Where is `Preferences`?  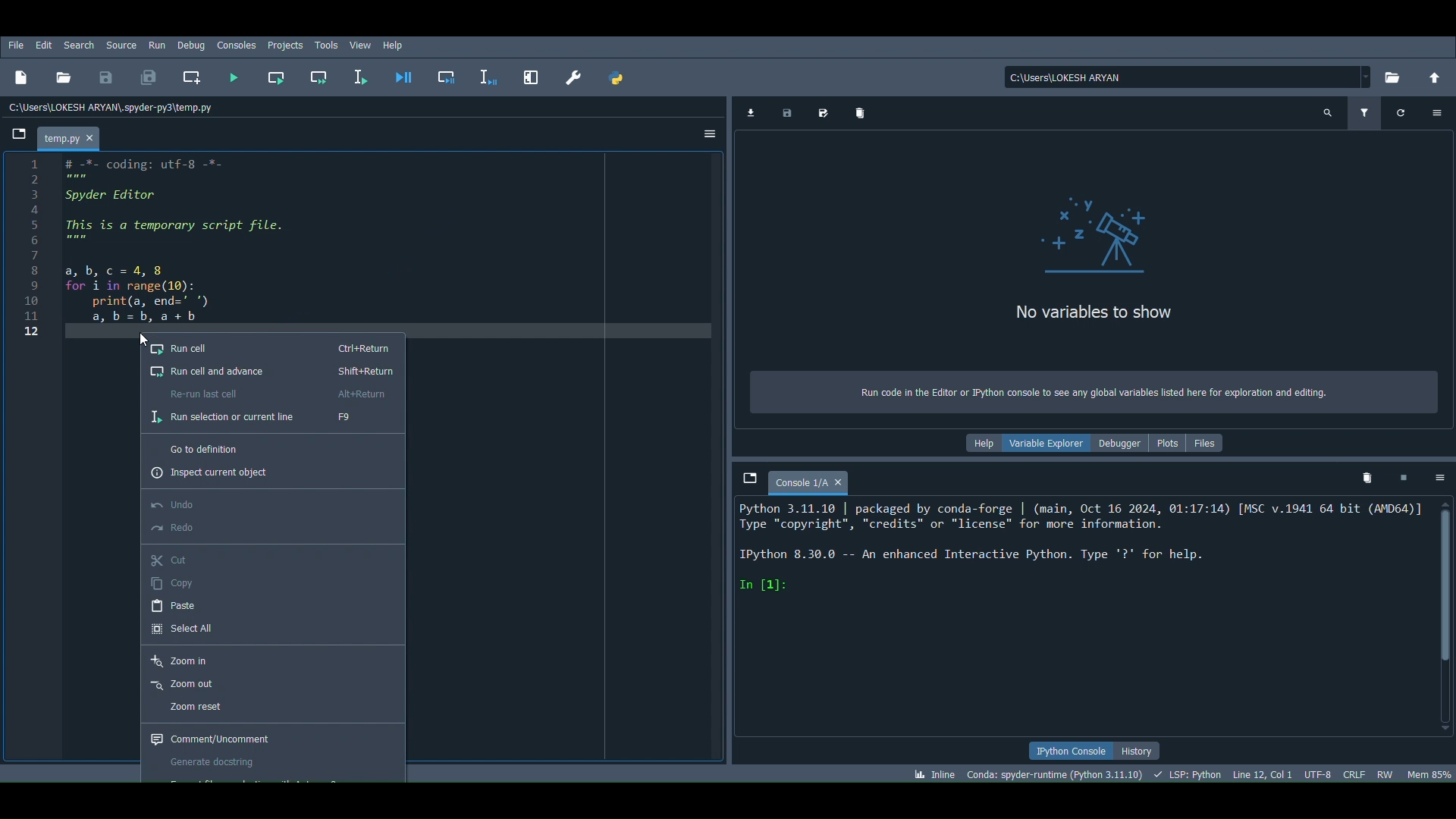
Preferences is located at coordinates (573, 78).